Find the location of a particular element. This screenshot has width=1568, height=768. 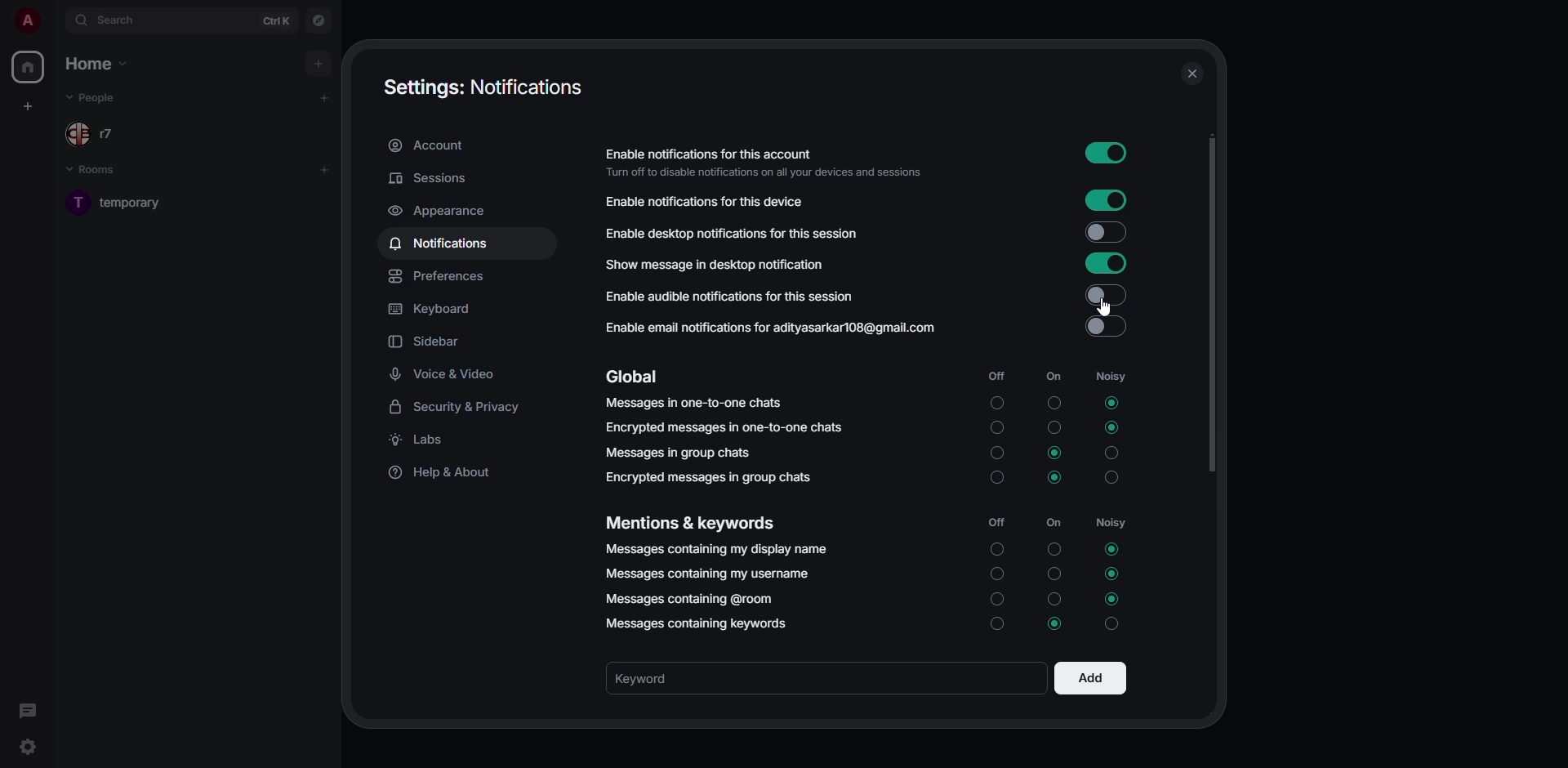

off is located at coordinates (995, 375).